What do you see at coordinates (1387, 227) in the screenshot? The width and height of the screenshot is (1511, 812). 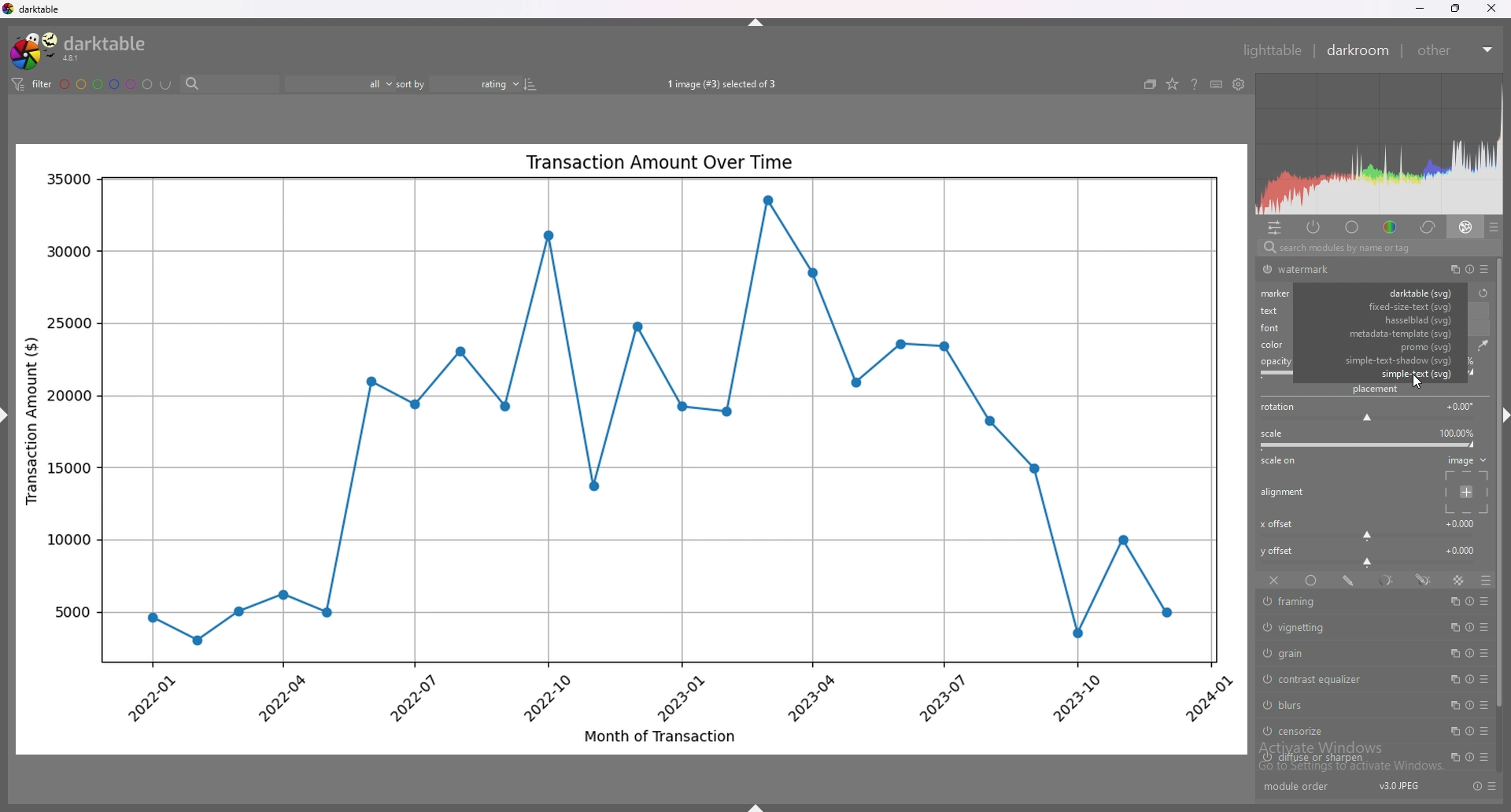 I see `color` at bounding box center [1387, 227].